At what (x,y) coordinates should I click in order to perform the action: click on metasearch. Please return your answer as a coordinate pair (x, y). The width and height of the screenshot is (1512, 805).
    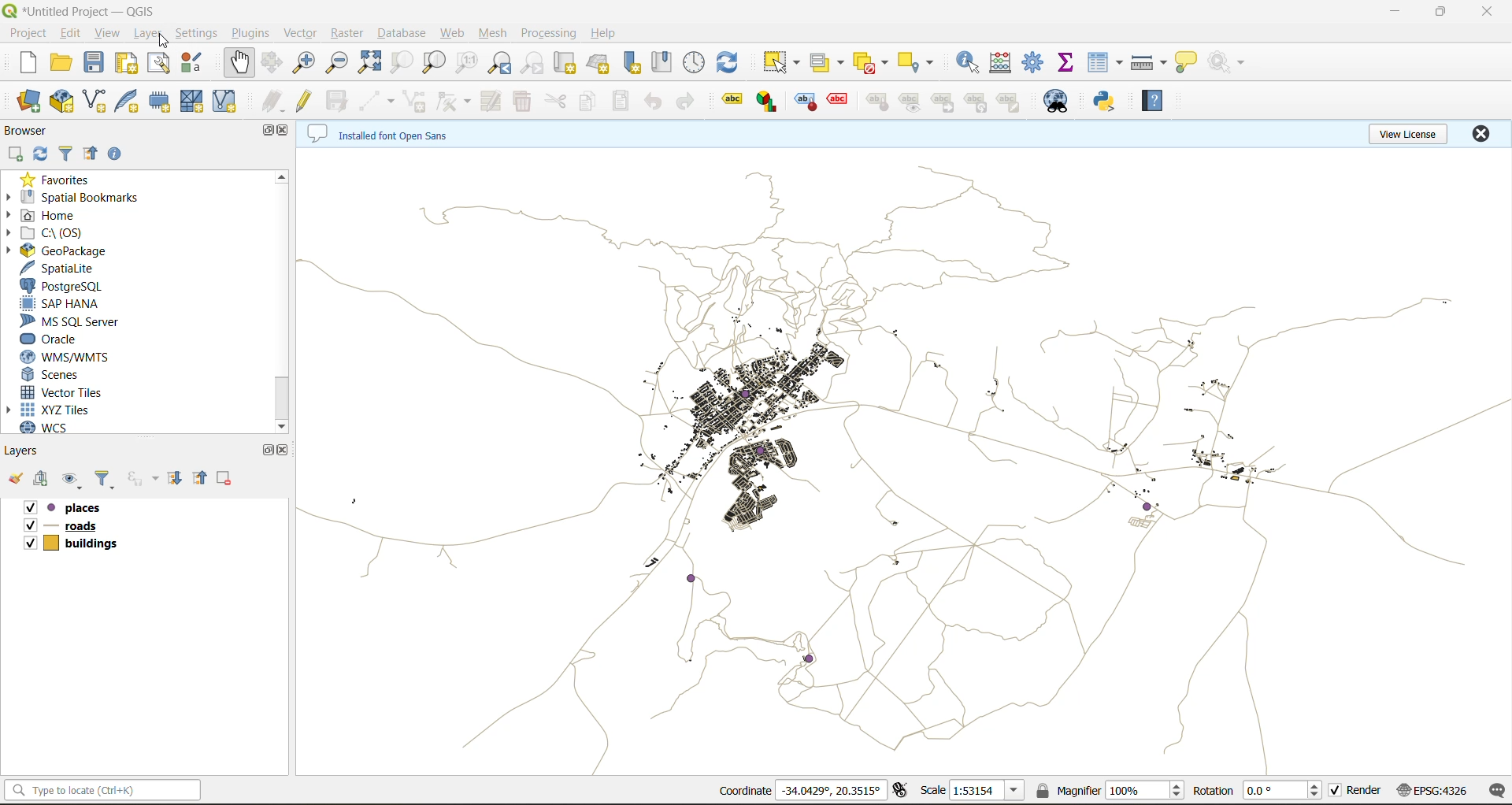
    Looking at the image, I should click on (1054, 103).